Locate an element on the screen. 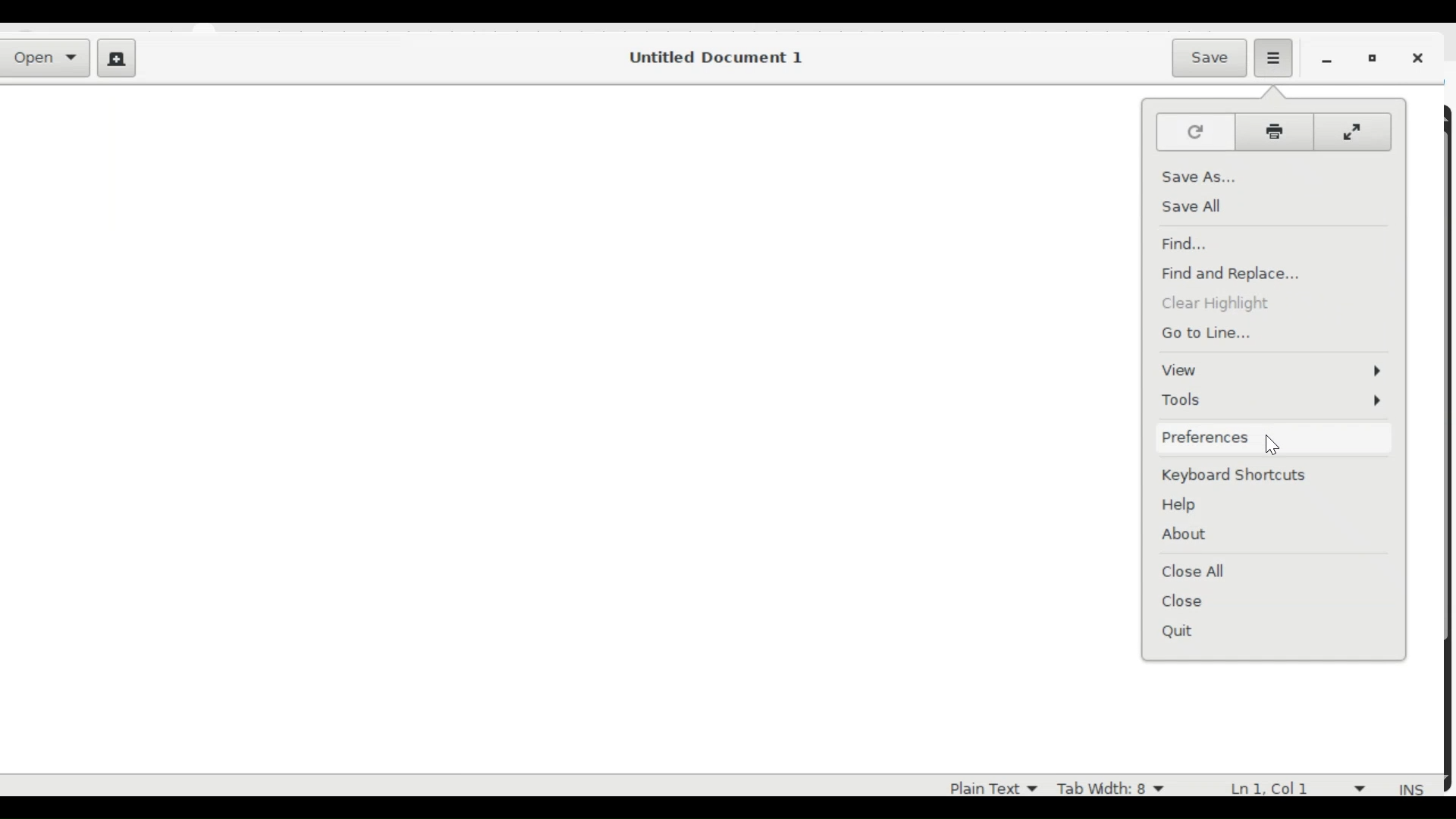 This screenshot has width=1456, height=819. View is located at coordinates (1273, 370).